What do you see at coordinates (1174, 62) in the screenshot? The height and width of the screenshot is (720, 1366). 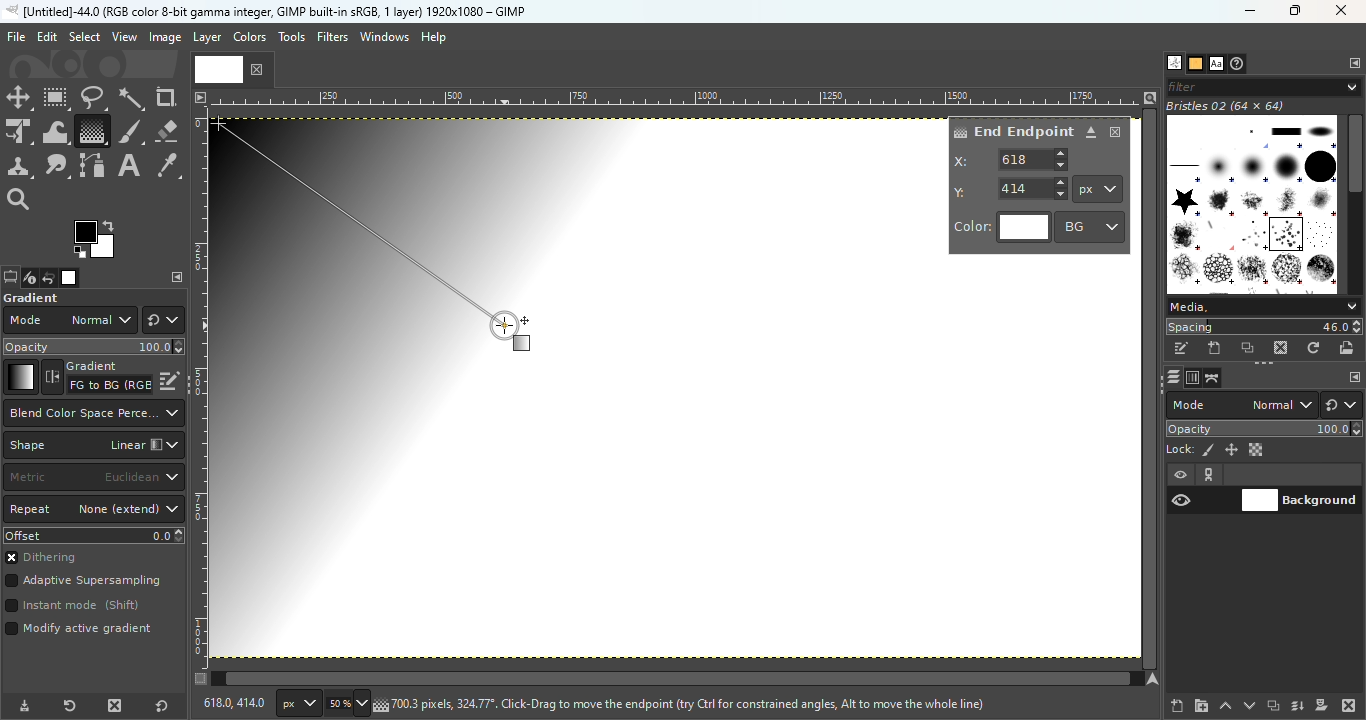 I see `Open the brushes dialog` at bounding box center [1174, 62].